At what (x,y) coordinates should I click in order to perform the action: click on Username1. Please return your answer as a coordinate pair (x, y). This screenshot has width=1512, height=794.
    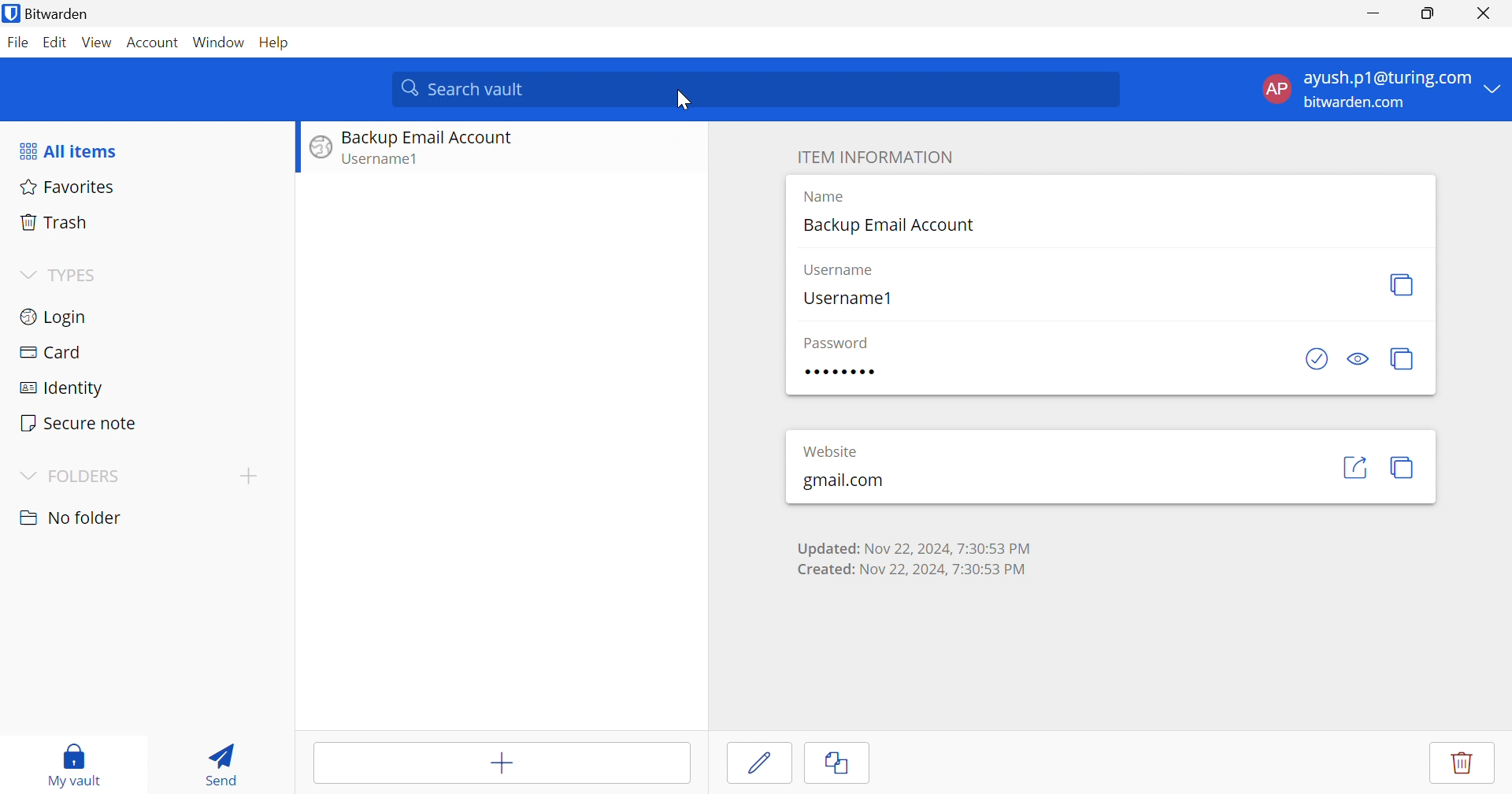
    Looking at the image, I should click on (877, 299).